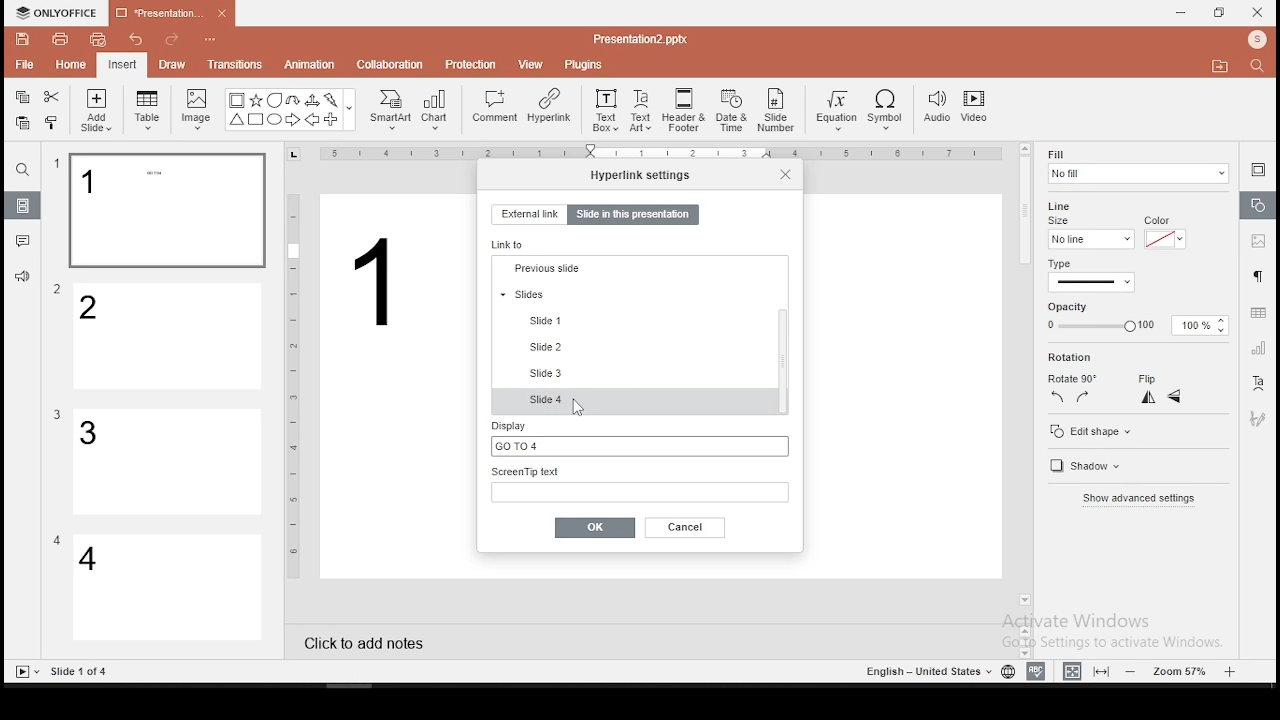 The image size is (1280, 720). What do you see at coordinates (1011, 93) in the screenshot?
I see `` at bounding box center [1011, 93].